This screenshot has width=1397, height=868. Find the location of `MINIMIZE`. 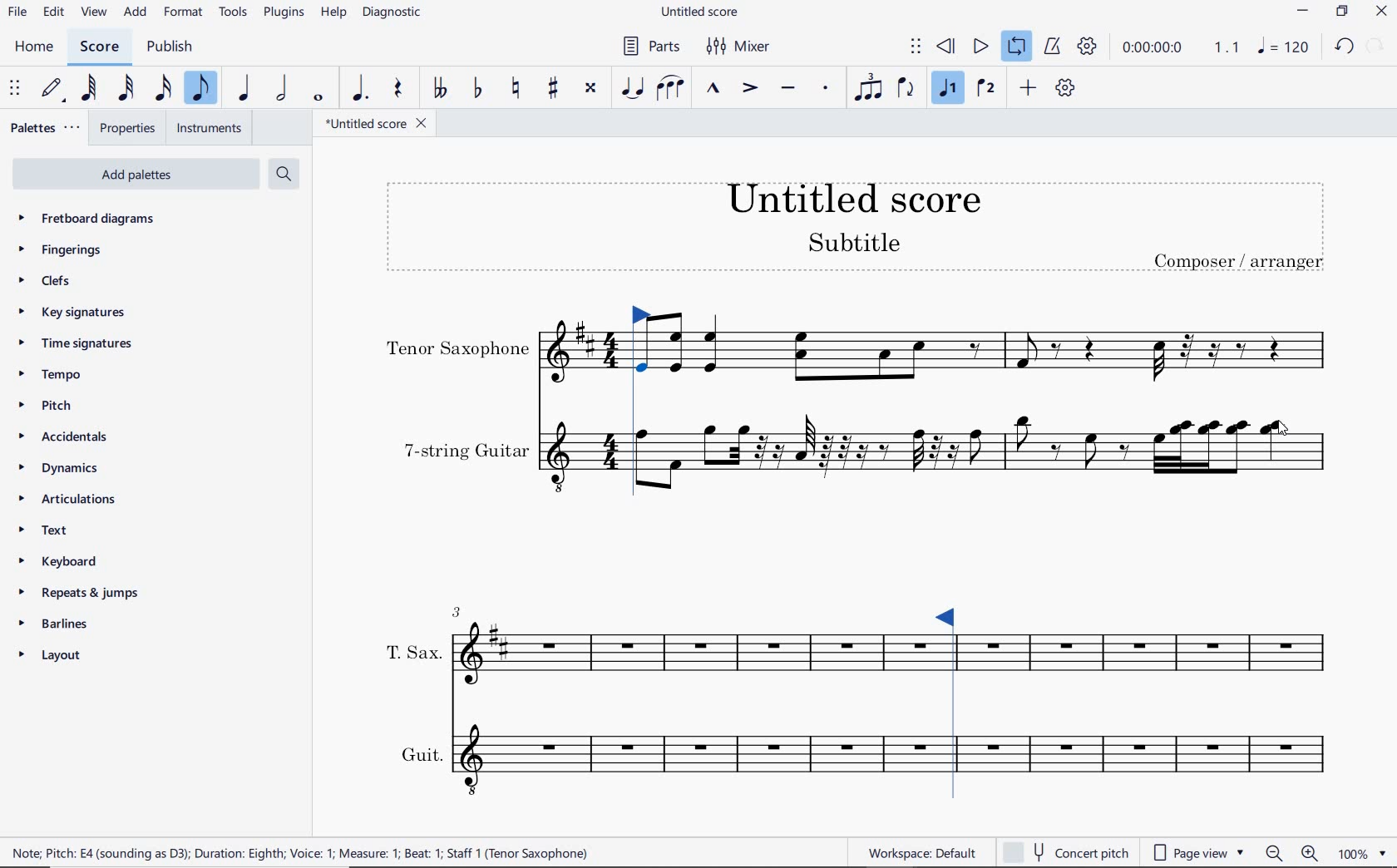

MINIMIZE is located at coordinates (1306, 11).